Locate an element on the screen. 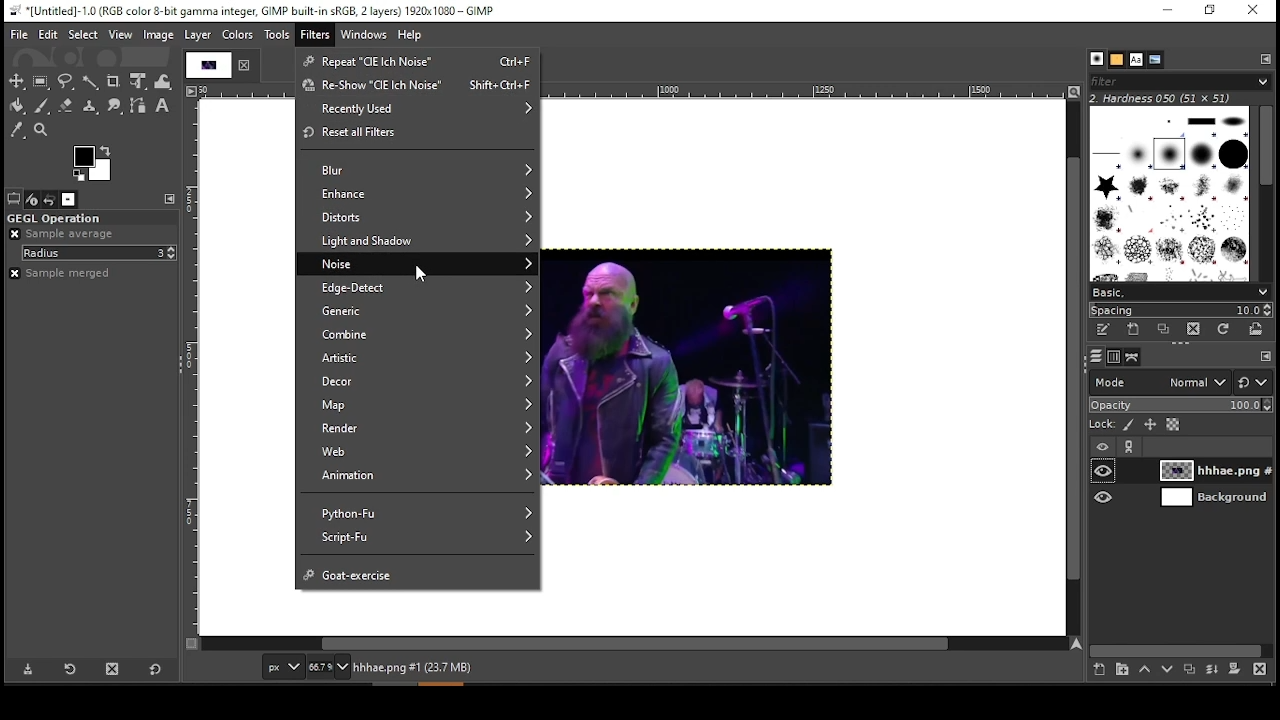 The image size is (1280, 720). render is located at coordinates (419, 429).